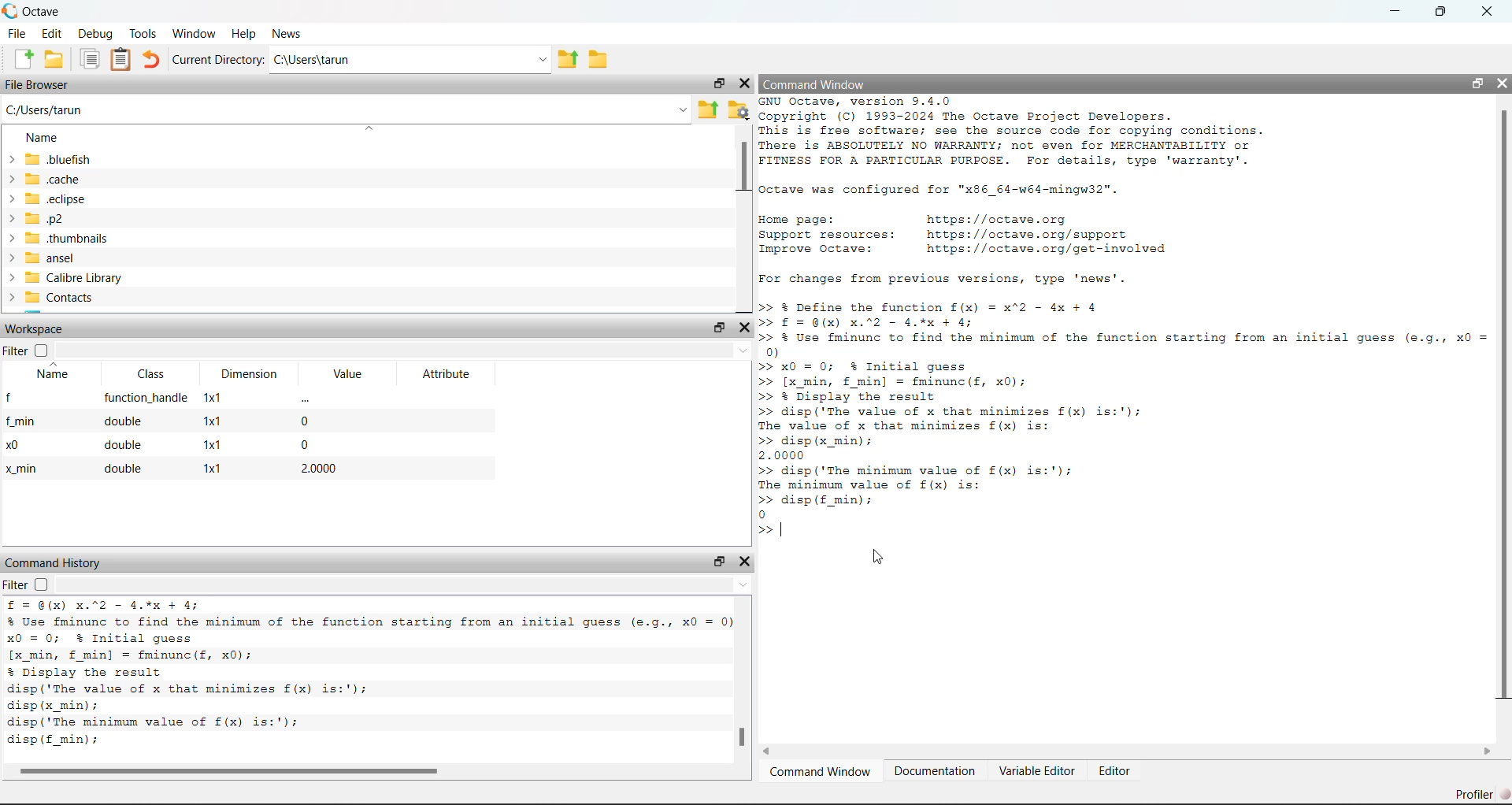  Describe the element at coordinates (1125, 421) in the screenshot. I see `>> % Define the function f(x) = x"2 - 4x + 4

>> £= @(X) X.%2 - 4.%% + 4;

>> % Use fminunc to find the minimum of the function starting from an initial guess (e.g., x0 =
0)

>> x0 = 0; % Initial guess

>> [x_min, f min] = fminunc(f, x0);

>> % Display the result

>> disp('The value of x that minimizes f(x) is:');
The value of x that minimizes f(x) is:

>> disp (x_min);

2.0000

>> disp('The minimum value of £(x) is:');

The minimum value of f(x) is:

>> disp (£f_min);

0

>> |` at that location.